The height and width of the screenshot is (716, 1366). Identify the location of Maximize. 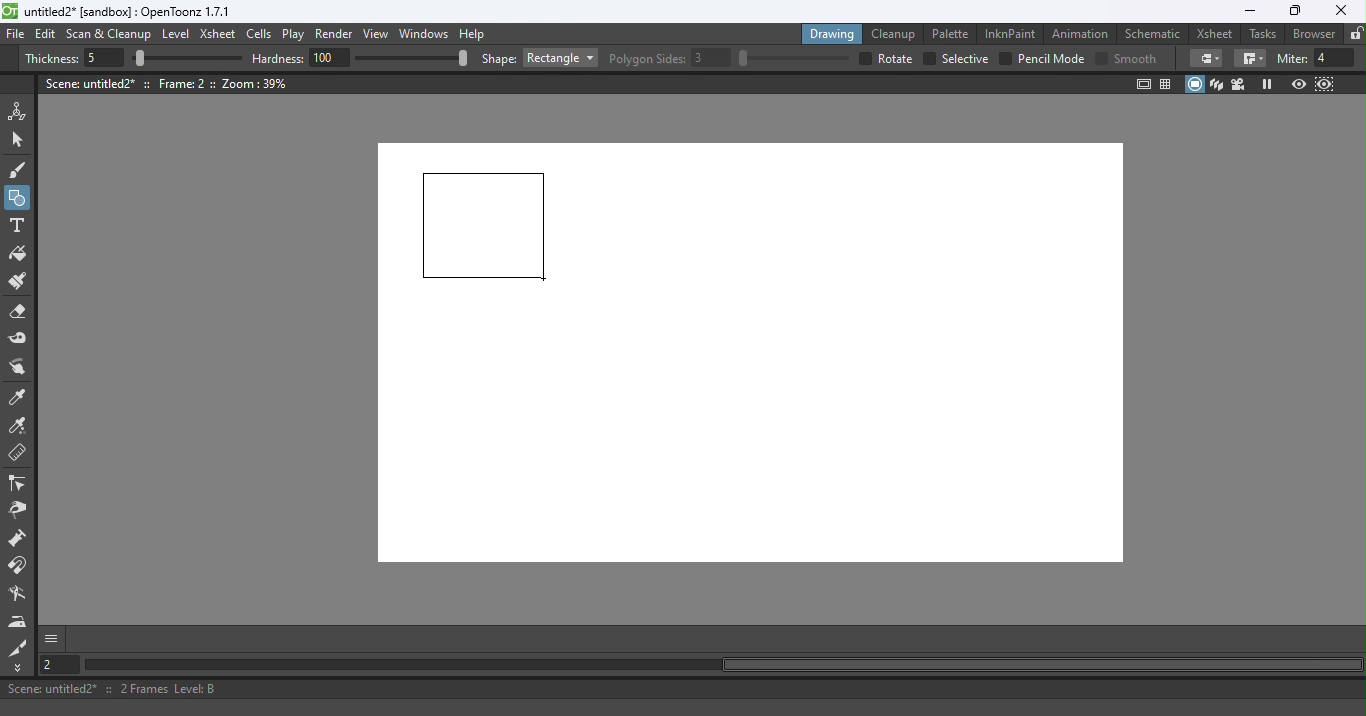
(1292, 12).